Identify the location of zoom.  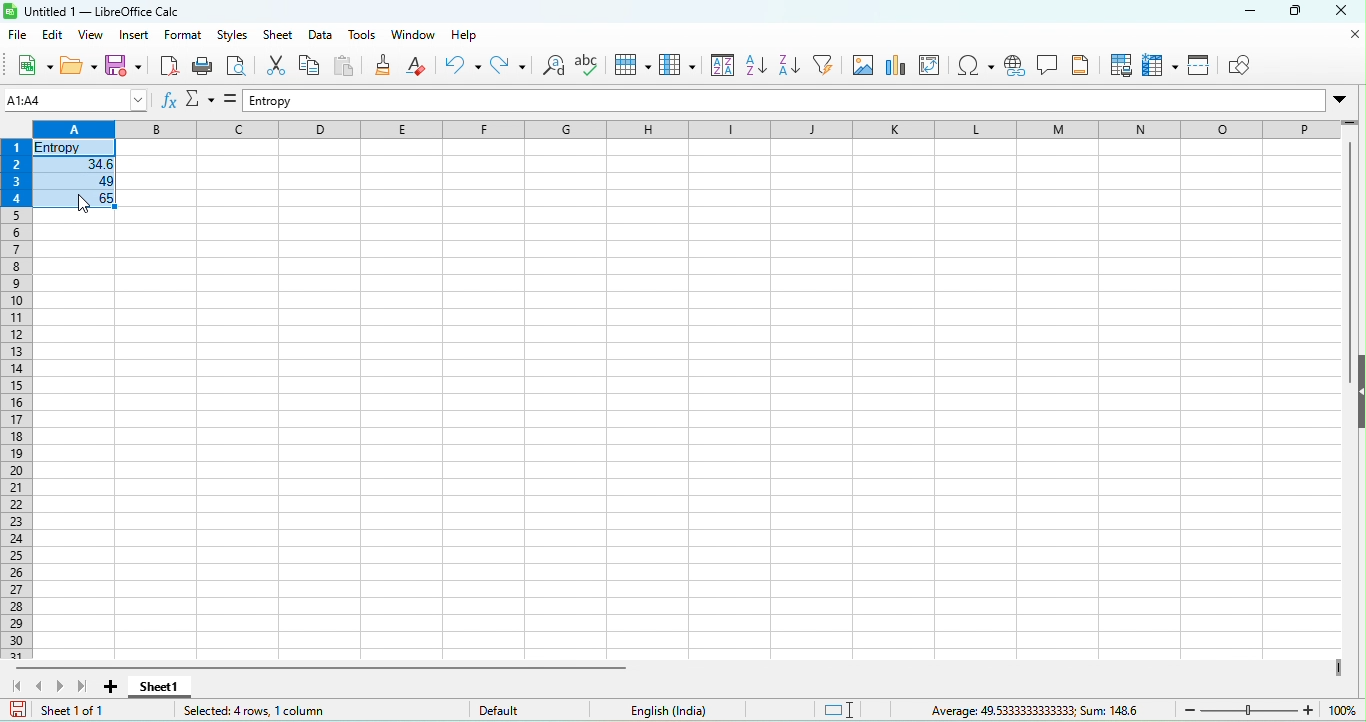
(1346, 710).